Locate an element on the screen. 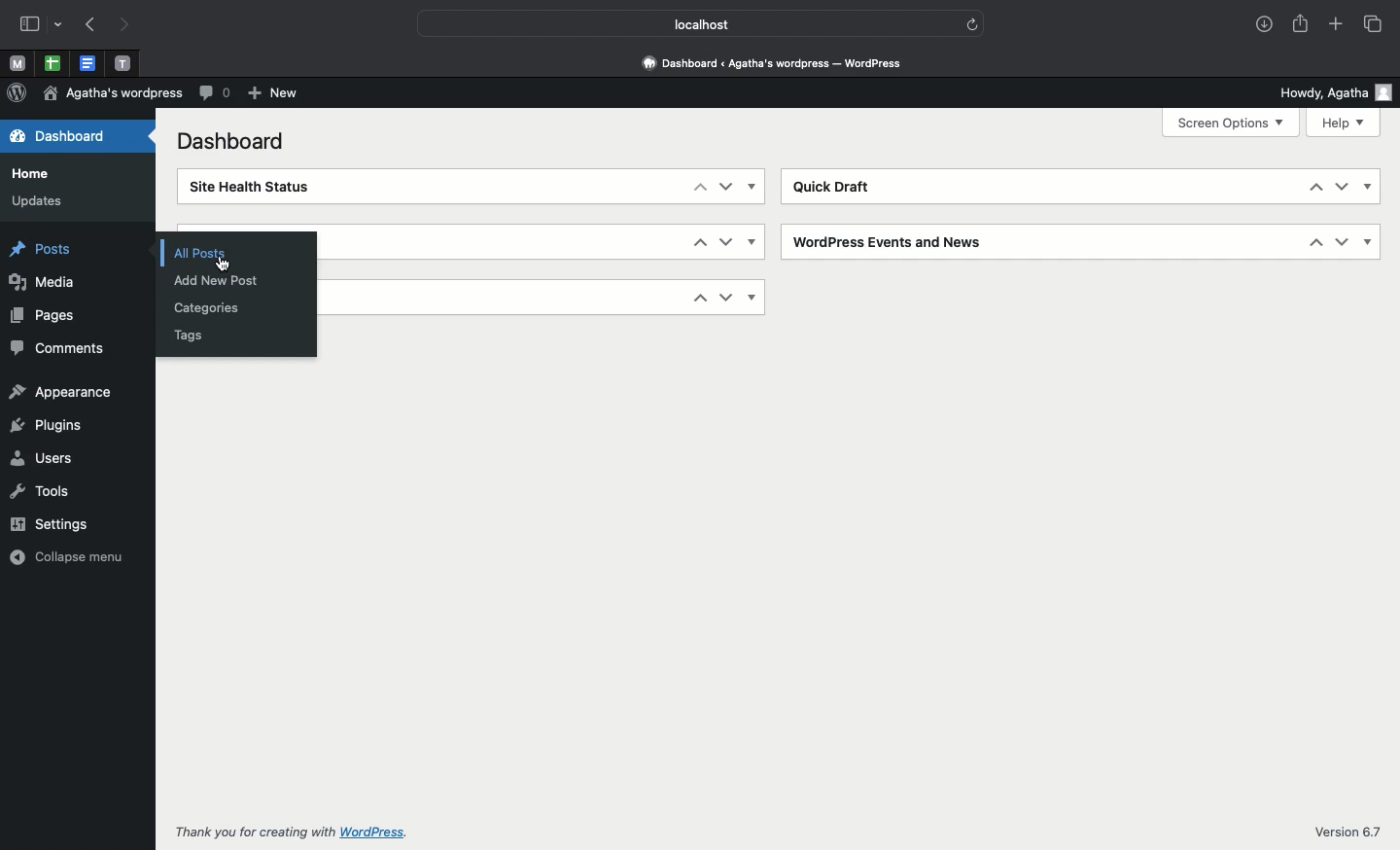 The width and height of the screenshot is (1400, 850). Local host is located at coordinates (690, 24).